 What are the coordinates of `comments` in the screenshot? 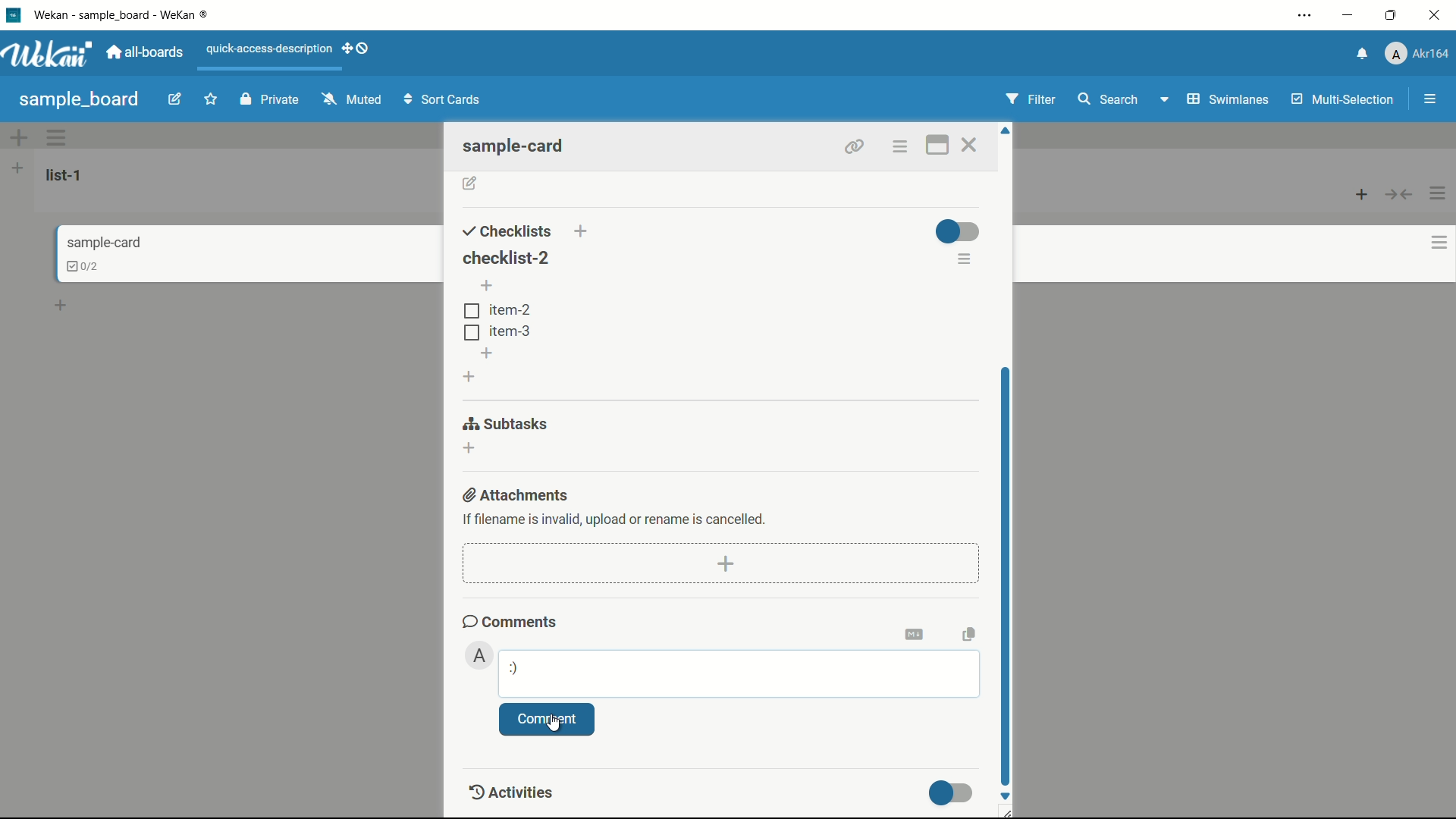 It's located at (510, 621).